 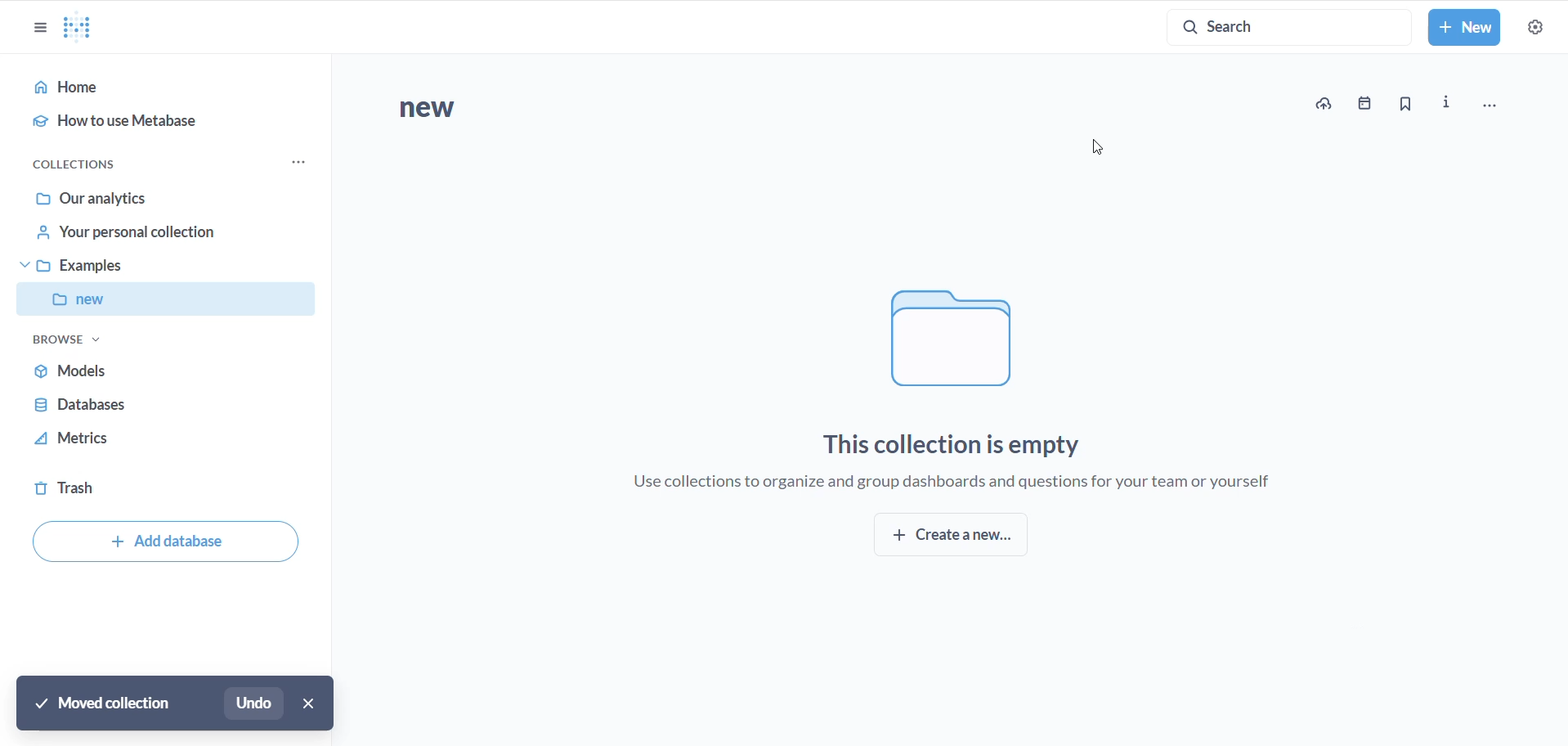 What do you see at coordinates (151, 237) in the screenshot?
I see `your personal collection` at bounding box center [151, 237].